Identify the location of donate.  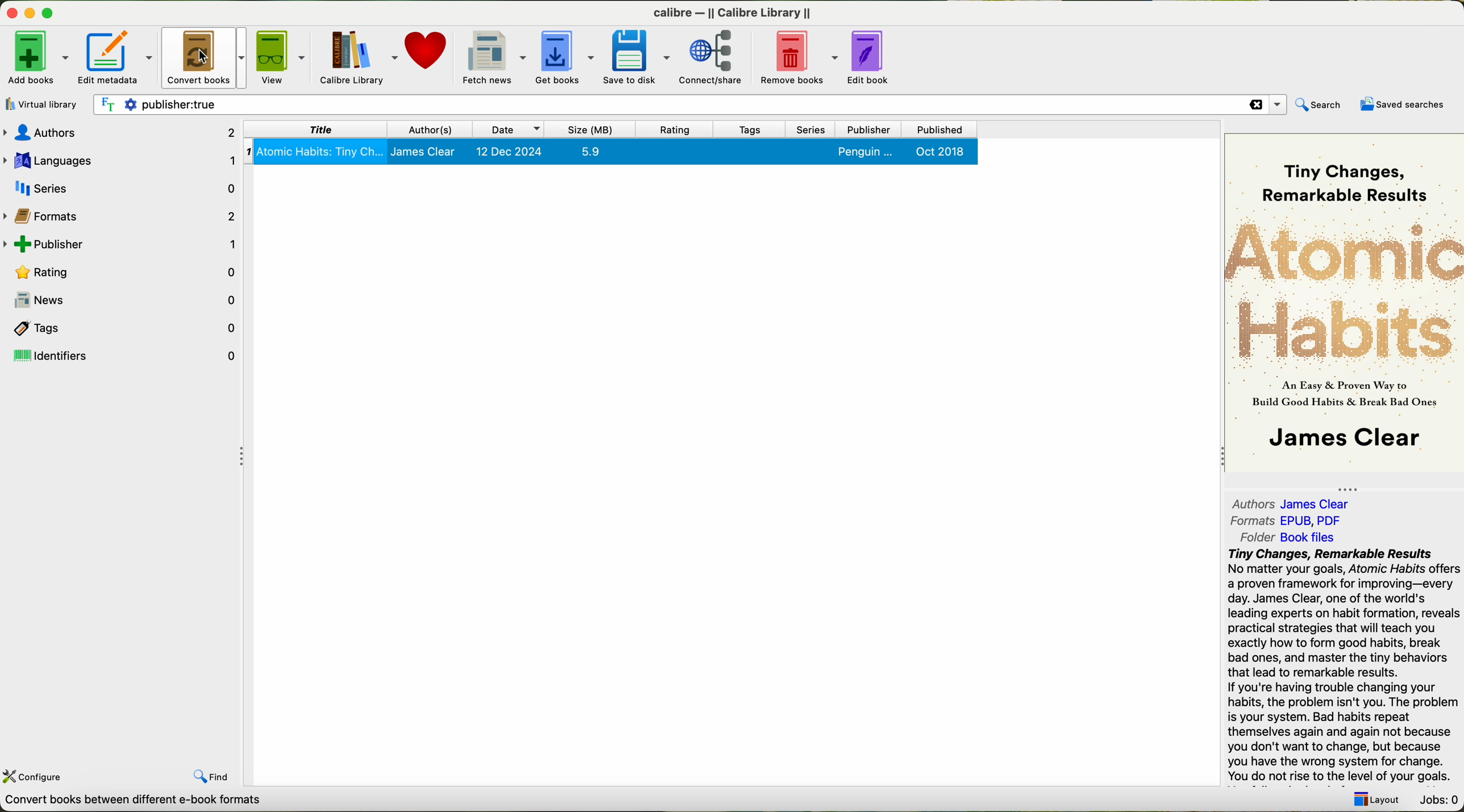
(428, 49).